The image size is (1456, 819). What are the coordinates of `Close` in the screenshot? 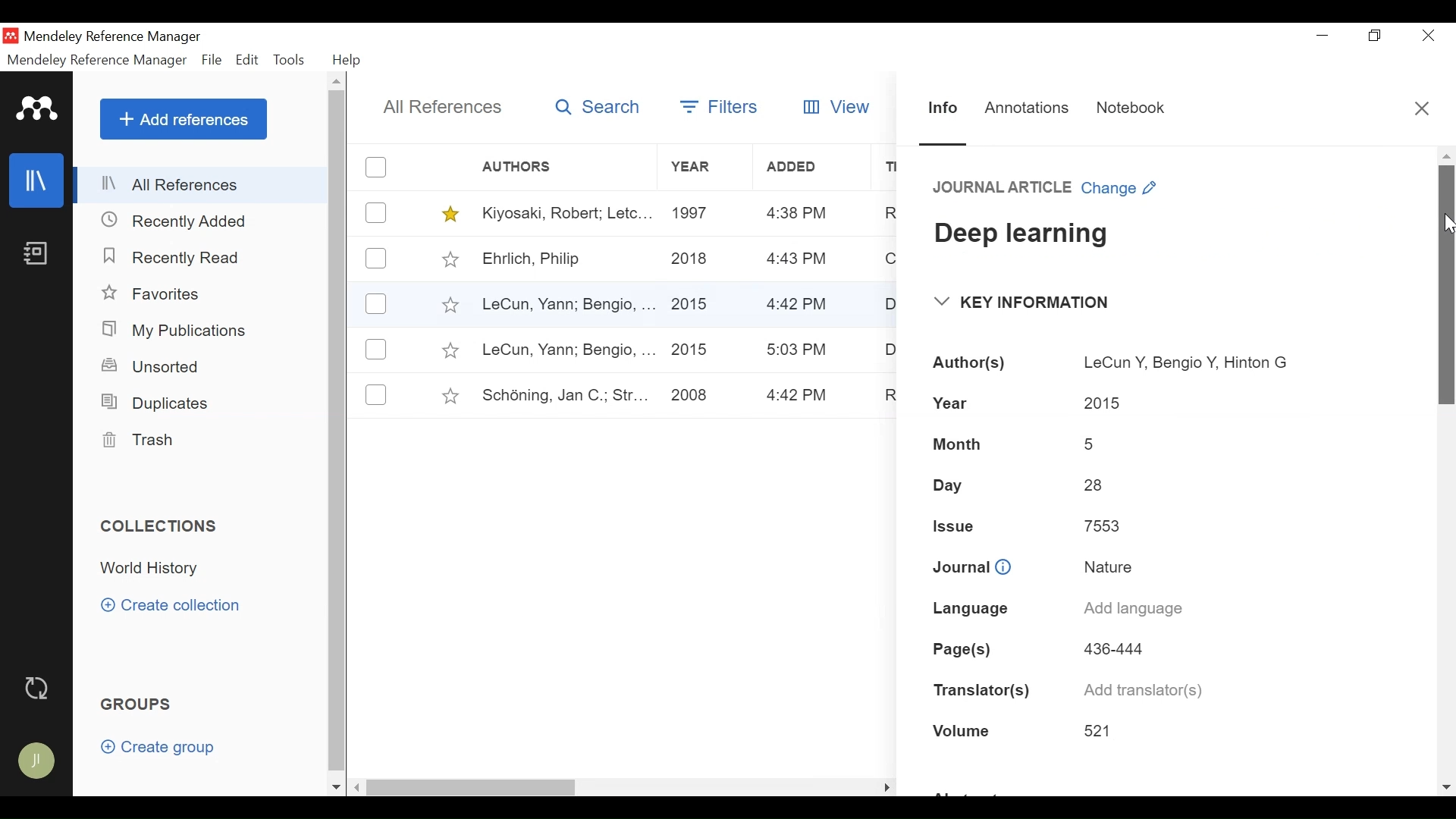 It's located at (1425, 110).